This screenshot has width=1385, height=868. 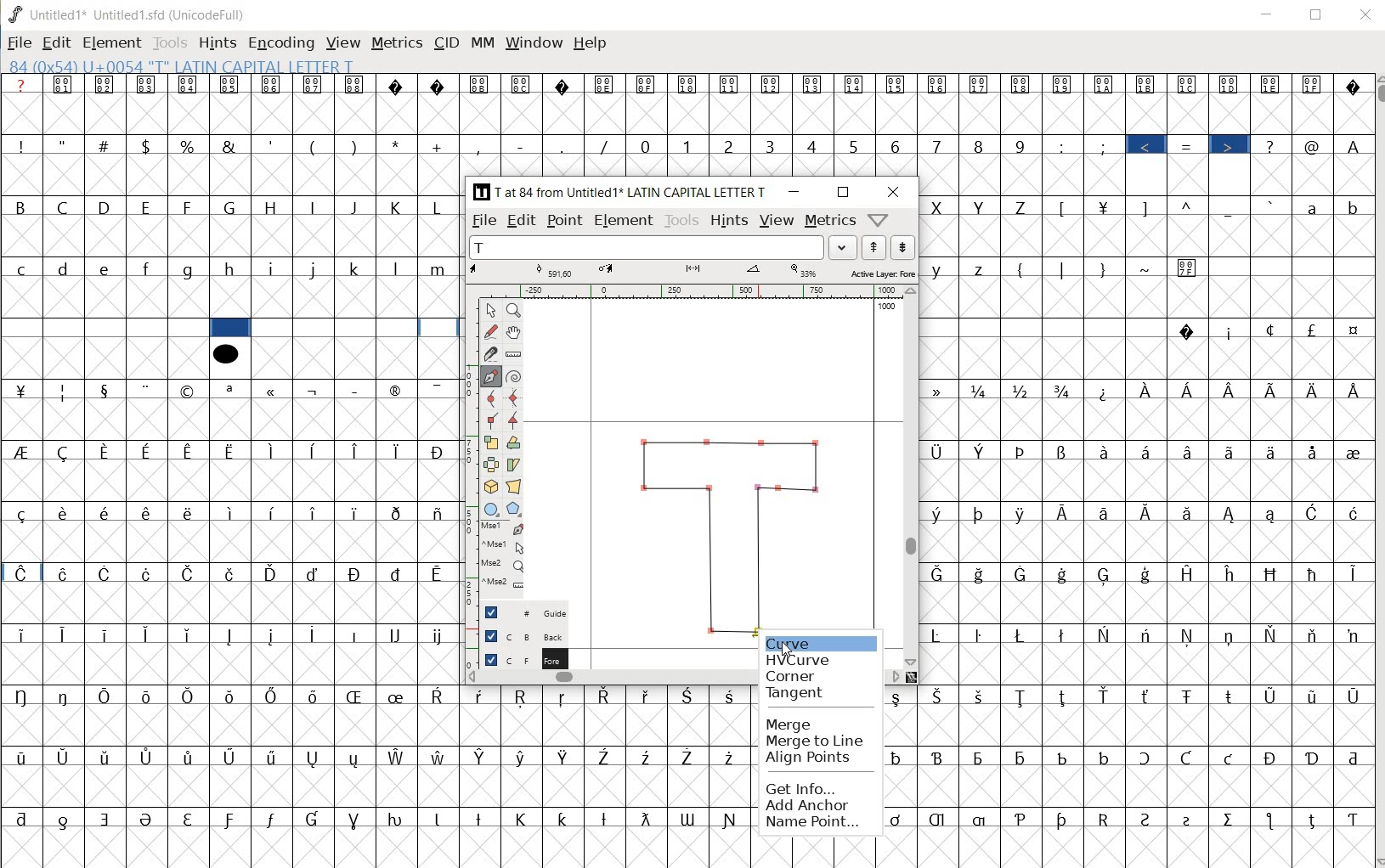 I want to click on Symbol, so click(x=274, y=86).